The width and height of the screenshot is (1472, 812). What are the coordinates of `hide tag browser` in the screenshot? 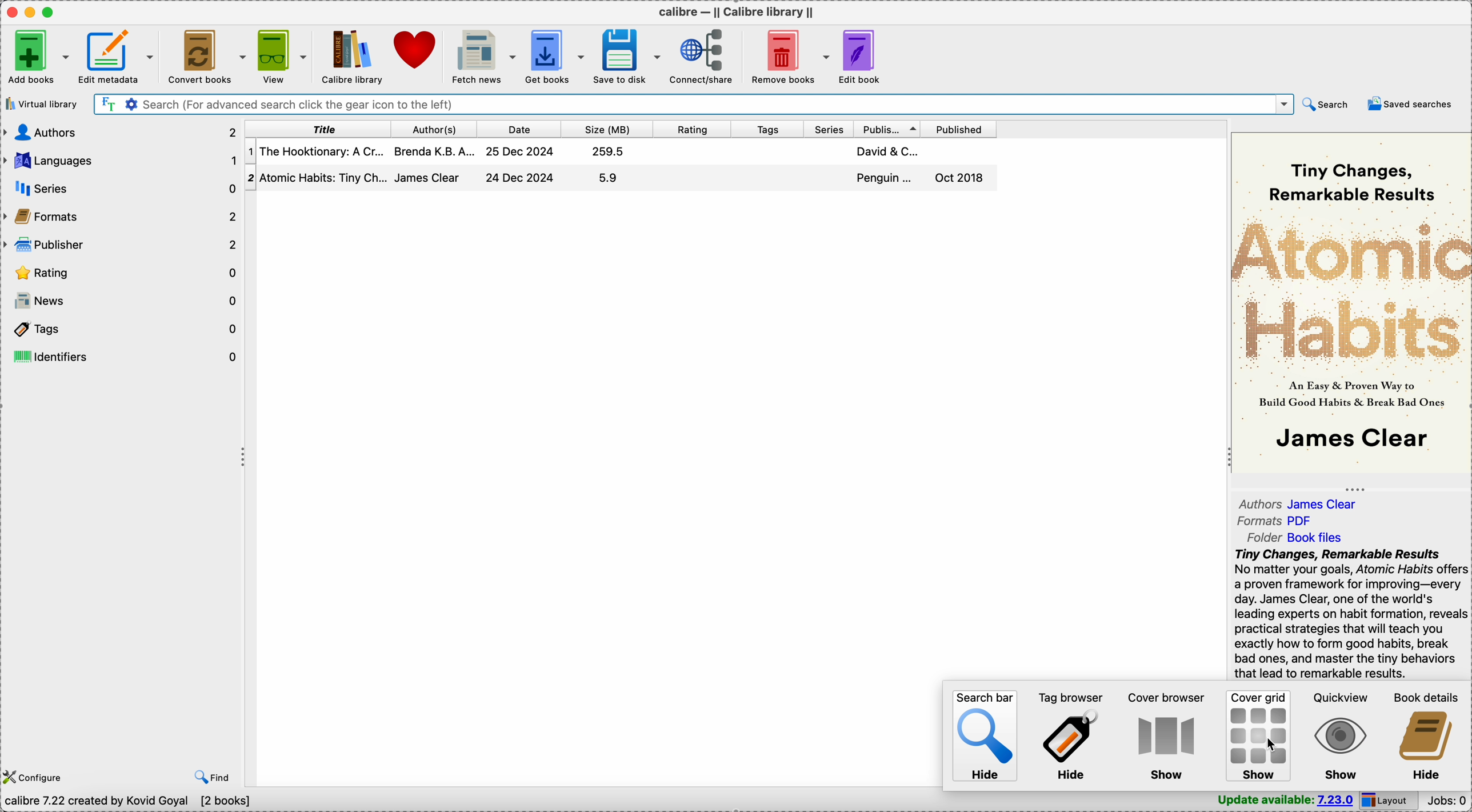 It's located at (1068, 737).